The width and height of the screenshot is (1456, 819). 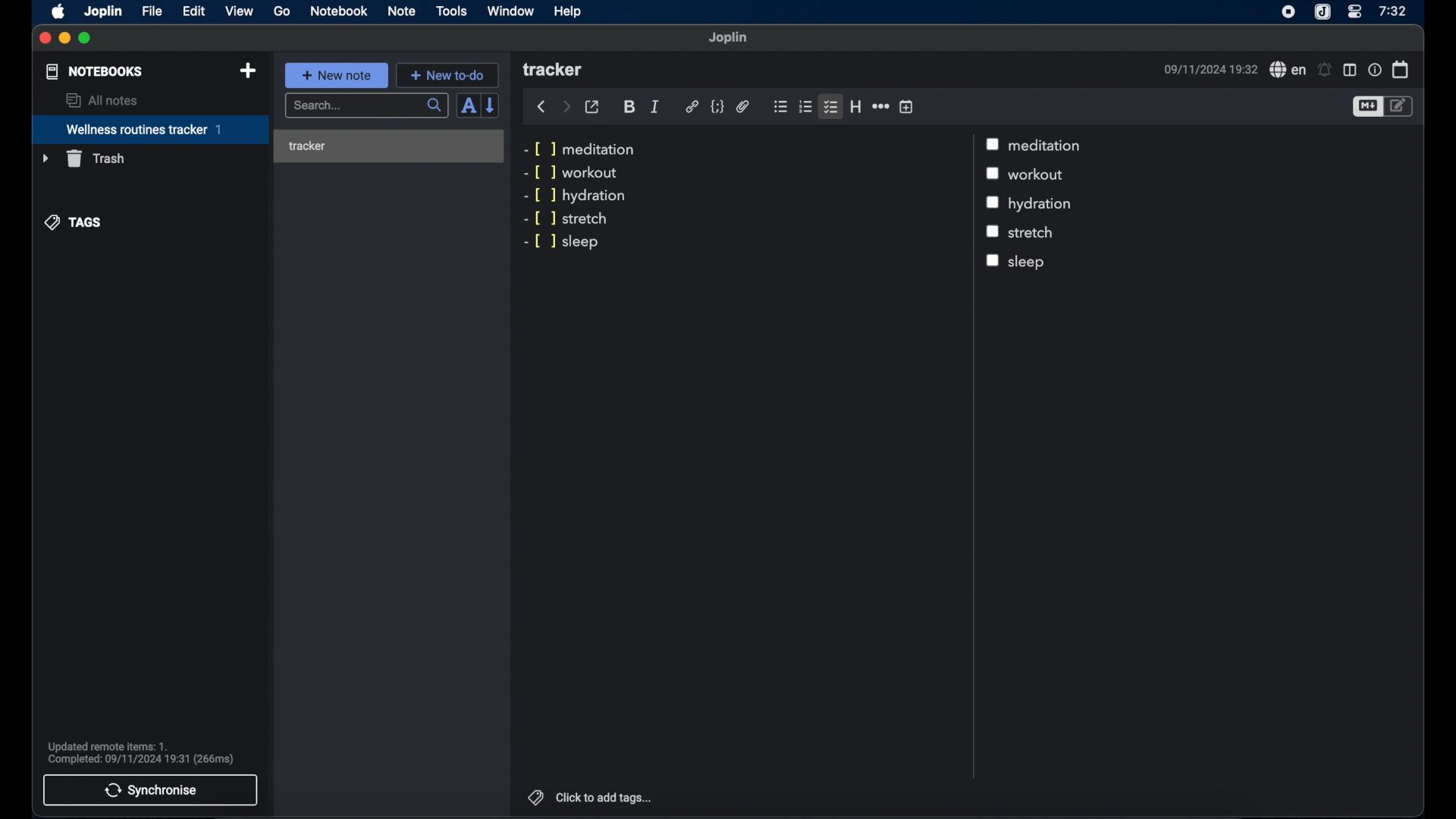 What do you see at coordinates (569, 11) in the screenshot?
I see `help` at bounding box center [569, 11].